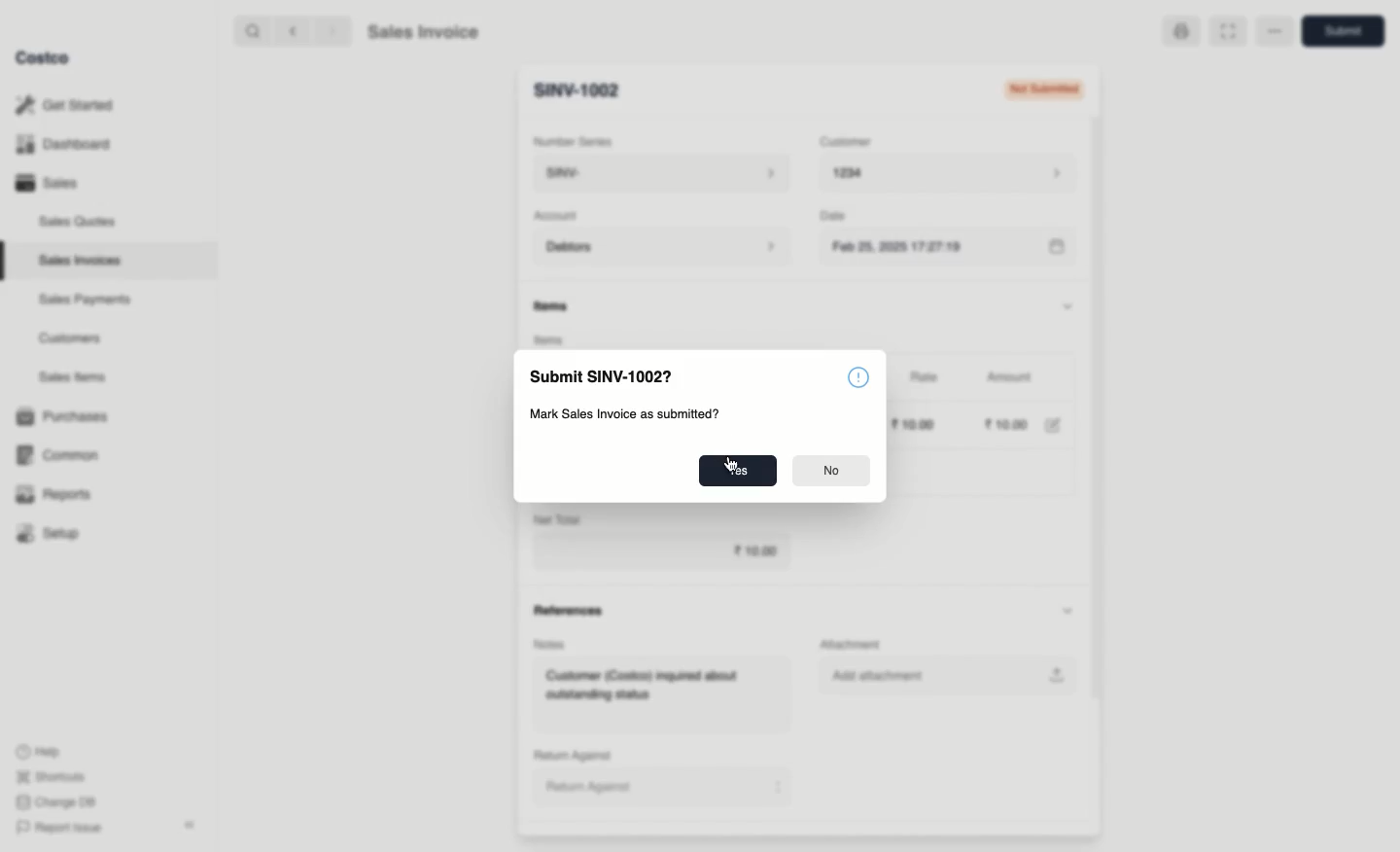 The width and height of the screenshot is (1400, 852). What do you see at coordinates (75, 223) in the screenshot?
I see `Sales Quotes` at bounding box center [75, 223].